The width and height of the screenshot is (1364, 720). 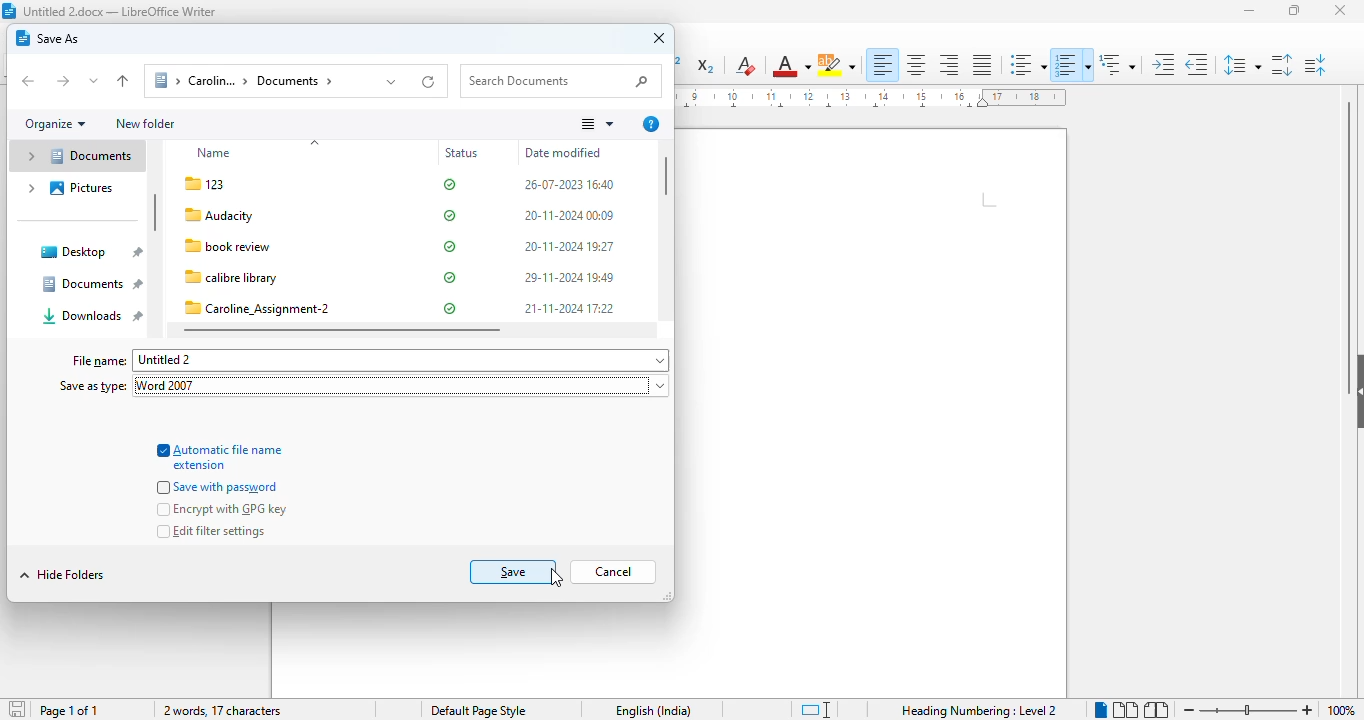 What do you see at coordinates (90, 283) in the screenshot?
I see `documents` at bounding box center [90, 283].